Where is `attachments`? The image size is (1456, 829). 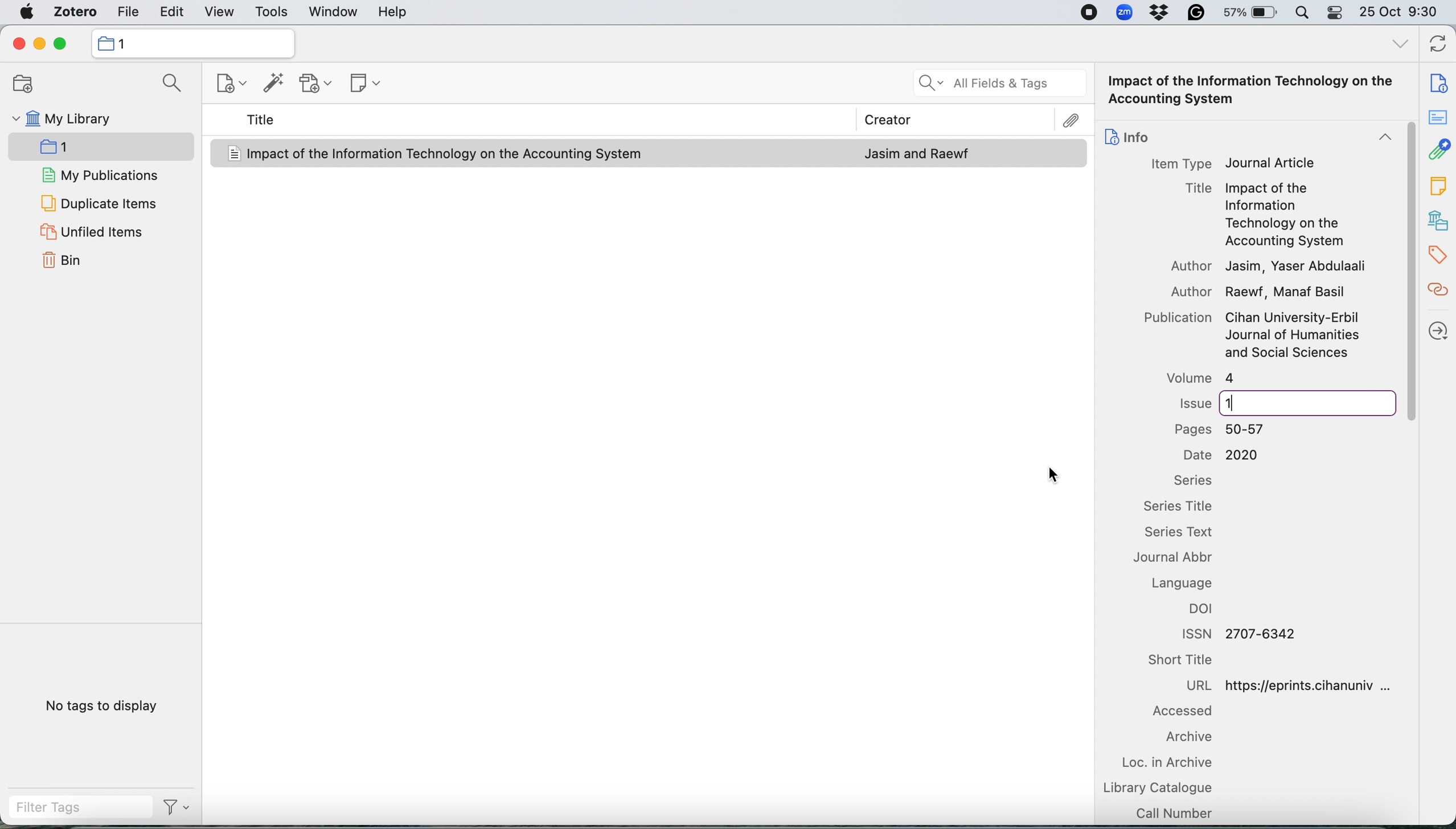 attachments is located at coordinates (1438, 152).